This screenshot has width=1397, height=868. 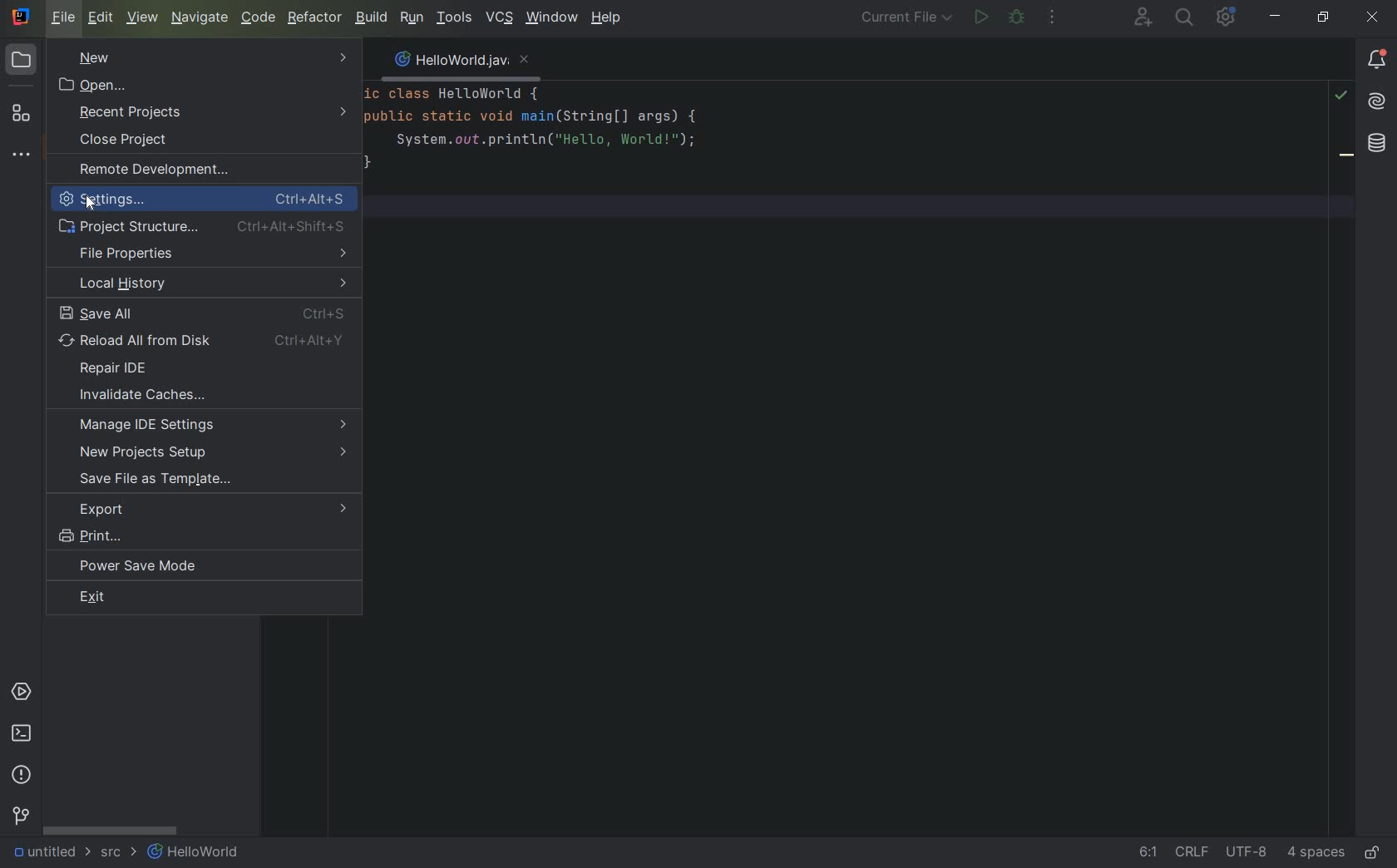 I want to click on HELLOWORLD, so click(x=192, y=851).